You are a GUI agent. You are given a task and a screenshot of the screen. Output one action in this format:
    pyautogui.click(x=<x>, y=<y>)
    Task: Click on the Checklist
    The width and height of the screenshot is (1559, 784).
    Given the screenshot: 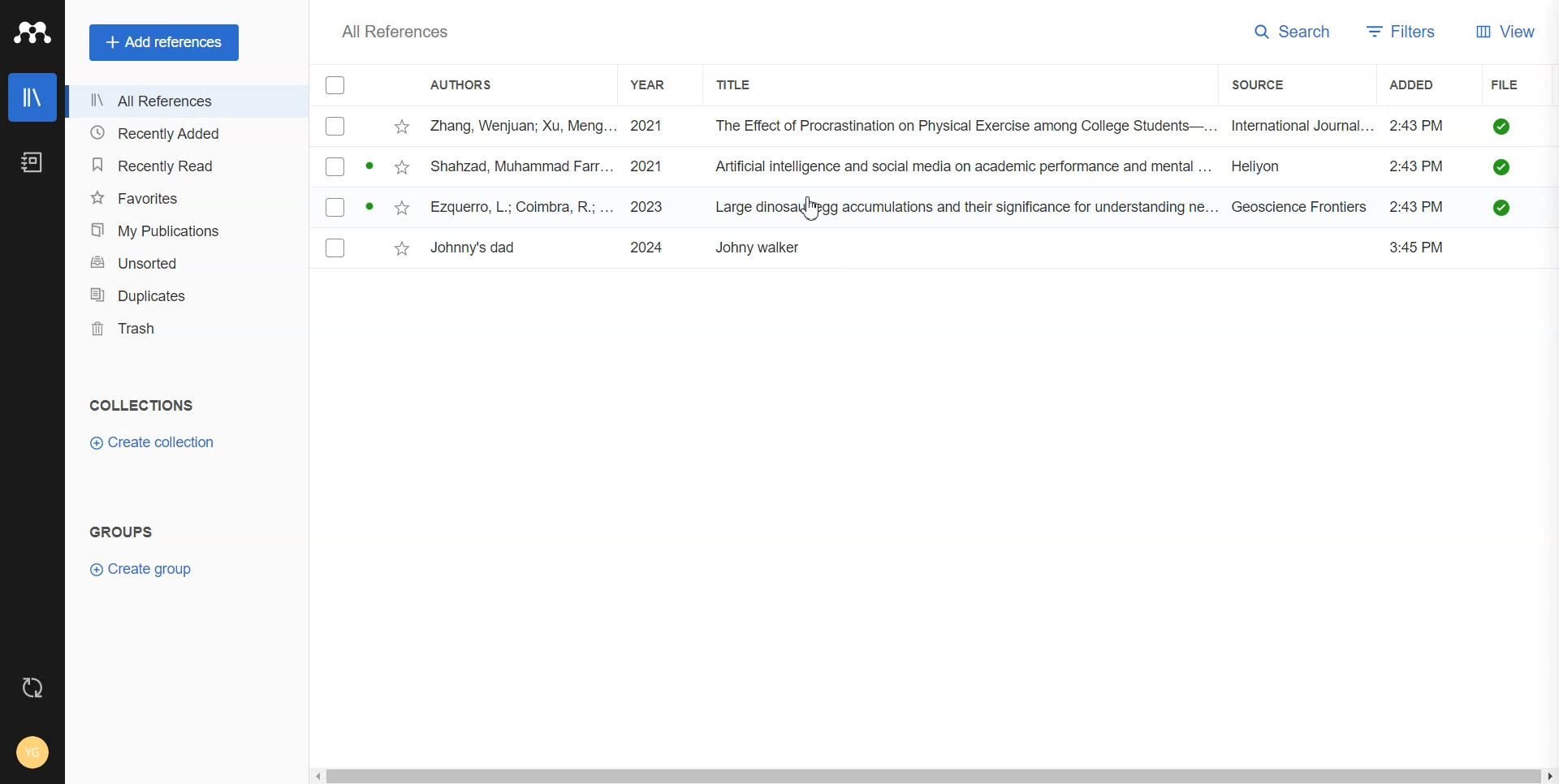 What is the action you would take?
    pyautogui.click(x=332, y=84)
    